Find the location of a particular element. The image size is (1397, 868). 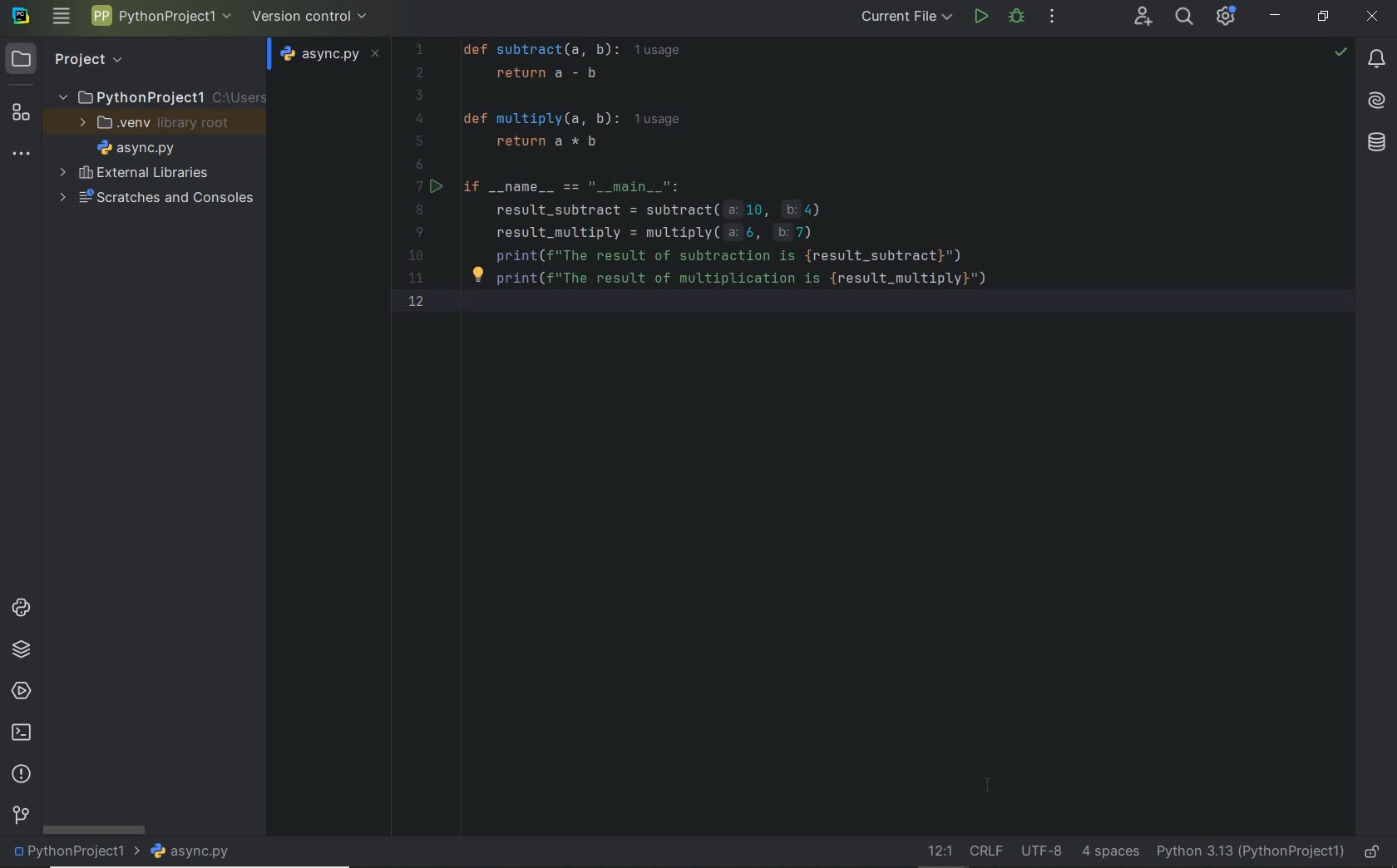

Code With Me is located at coordinates (1143, 17).